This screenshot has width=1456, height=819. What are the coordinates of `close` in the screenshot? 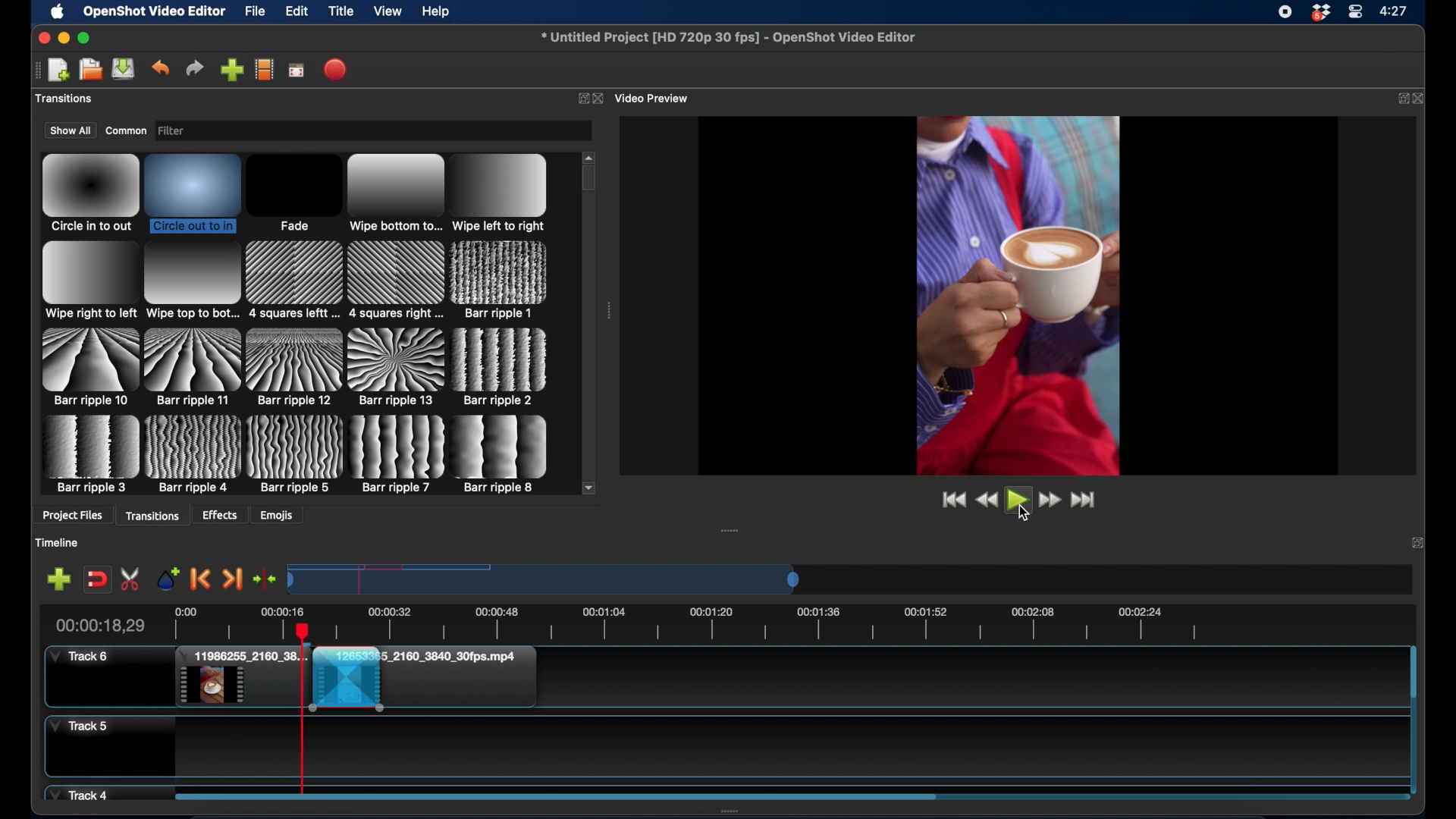 It's located at (41, 37).